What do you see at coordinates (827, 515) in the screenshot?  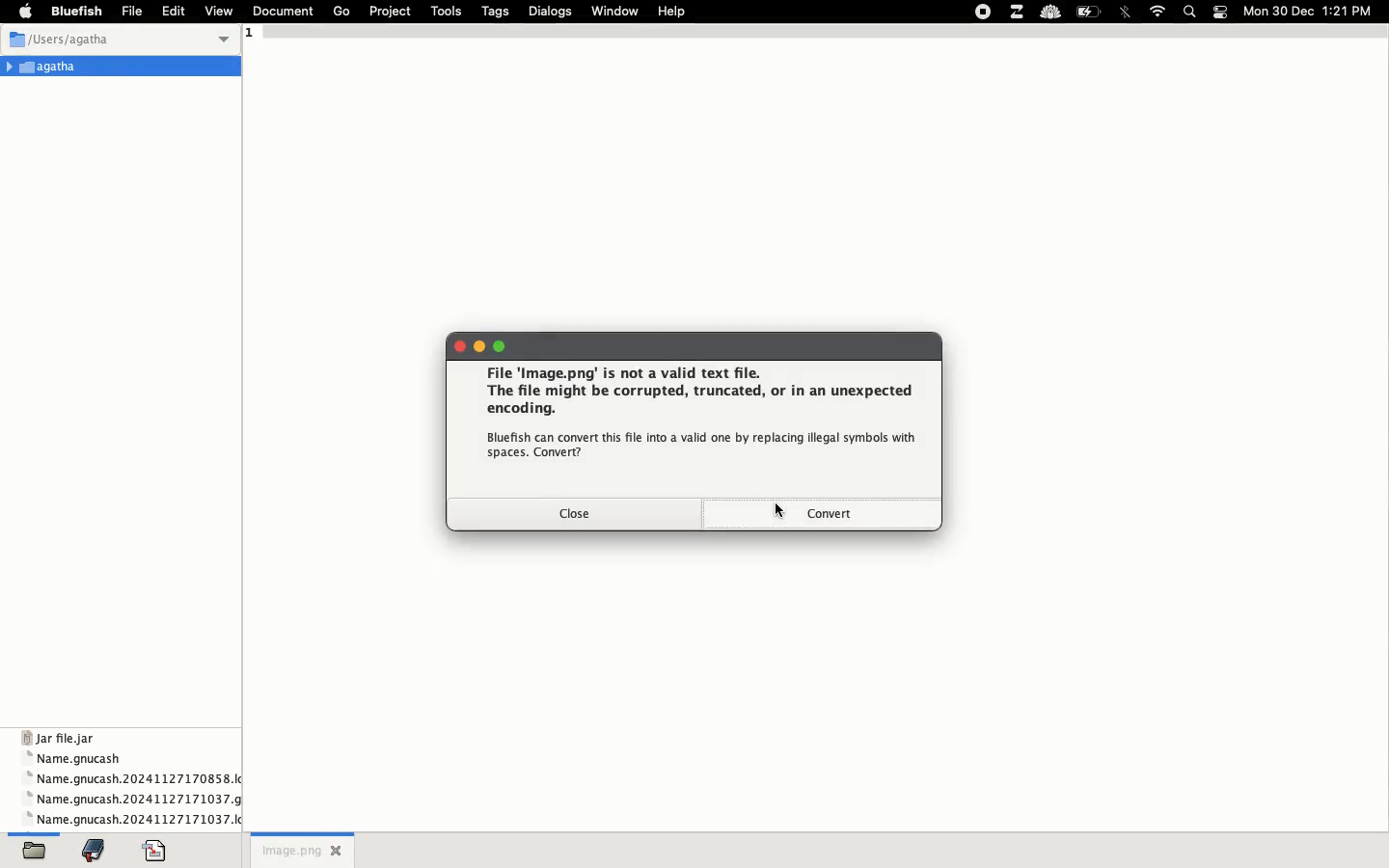 I see `convert` at bounding box center [827, 515].